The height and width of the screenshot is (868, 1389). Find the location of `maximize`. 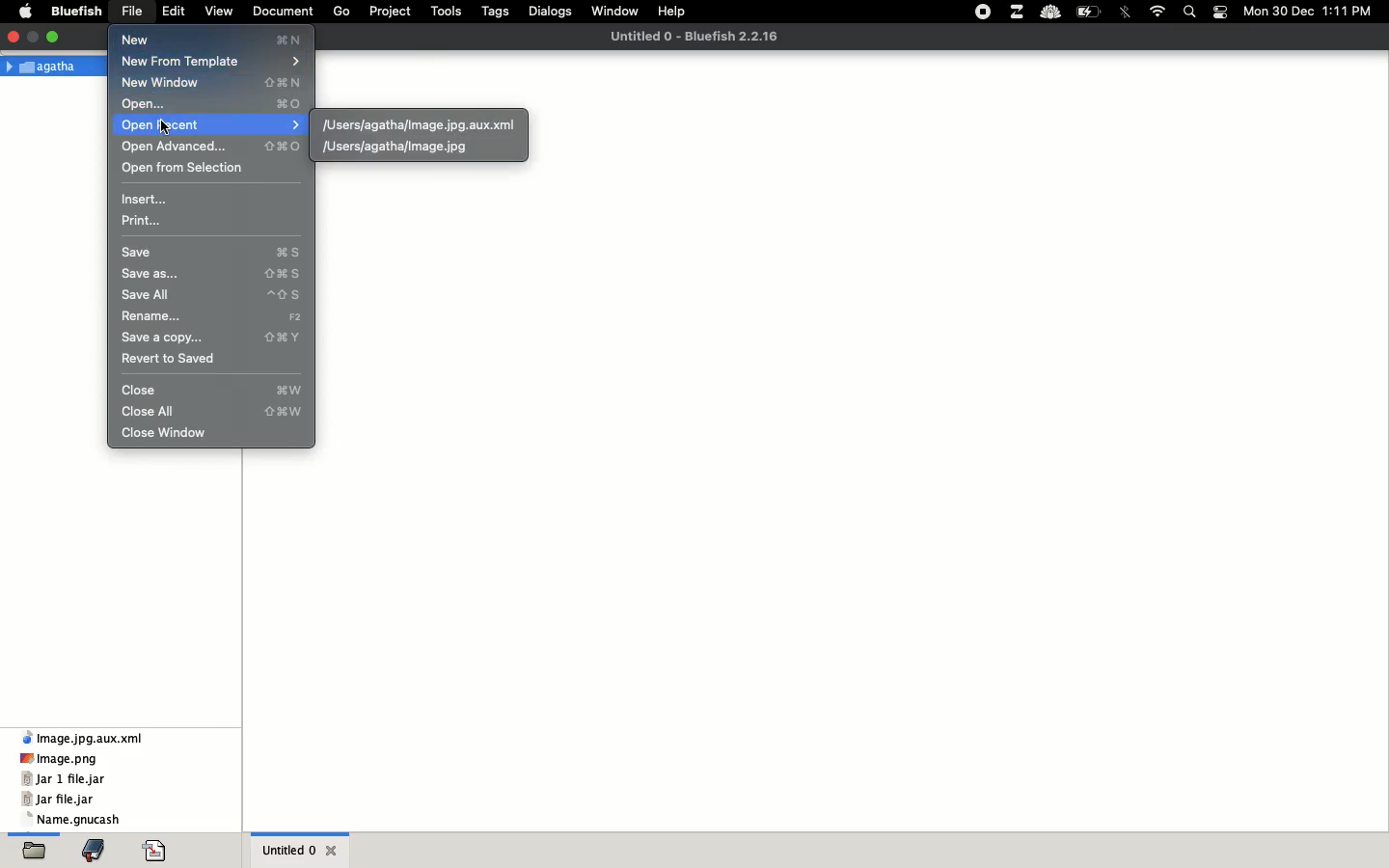

maximize is located at coordinates (56, 36).